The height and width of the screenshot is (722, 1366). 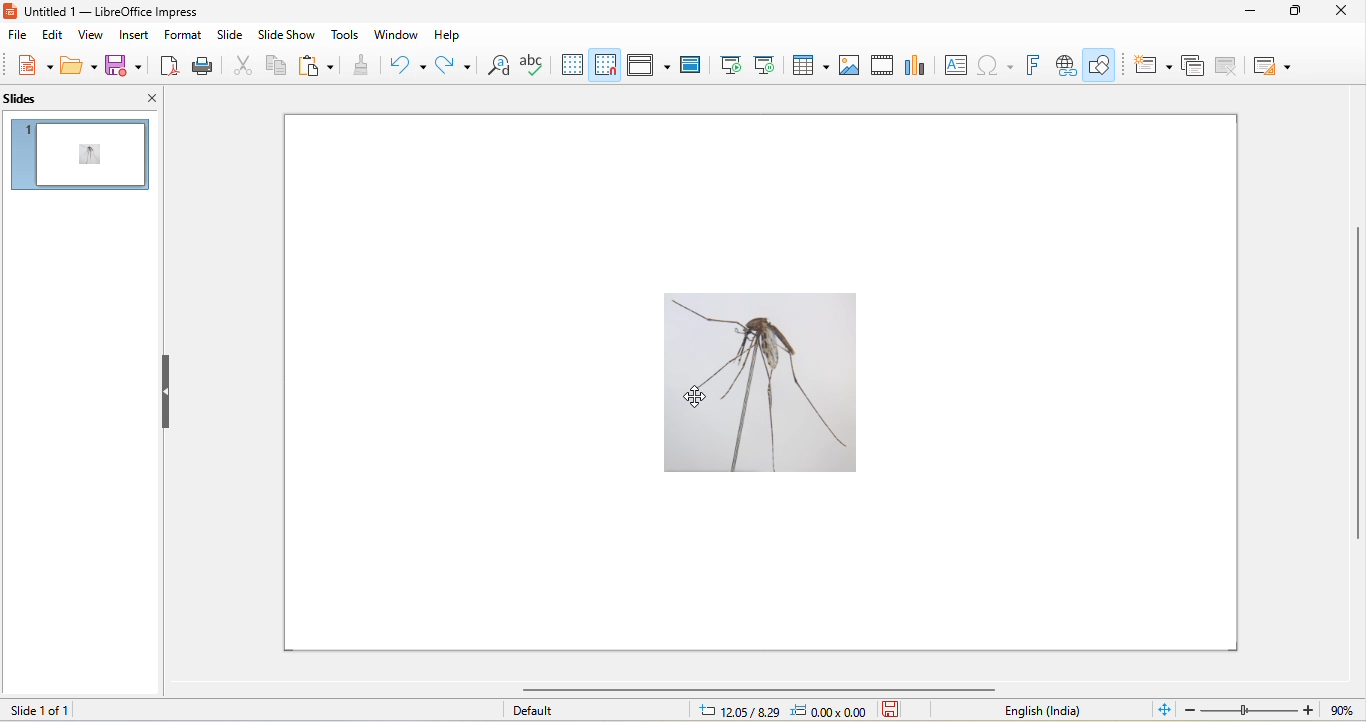 I want to click on slides, so click(x=61, y=99).